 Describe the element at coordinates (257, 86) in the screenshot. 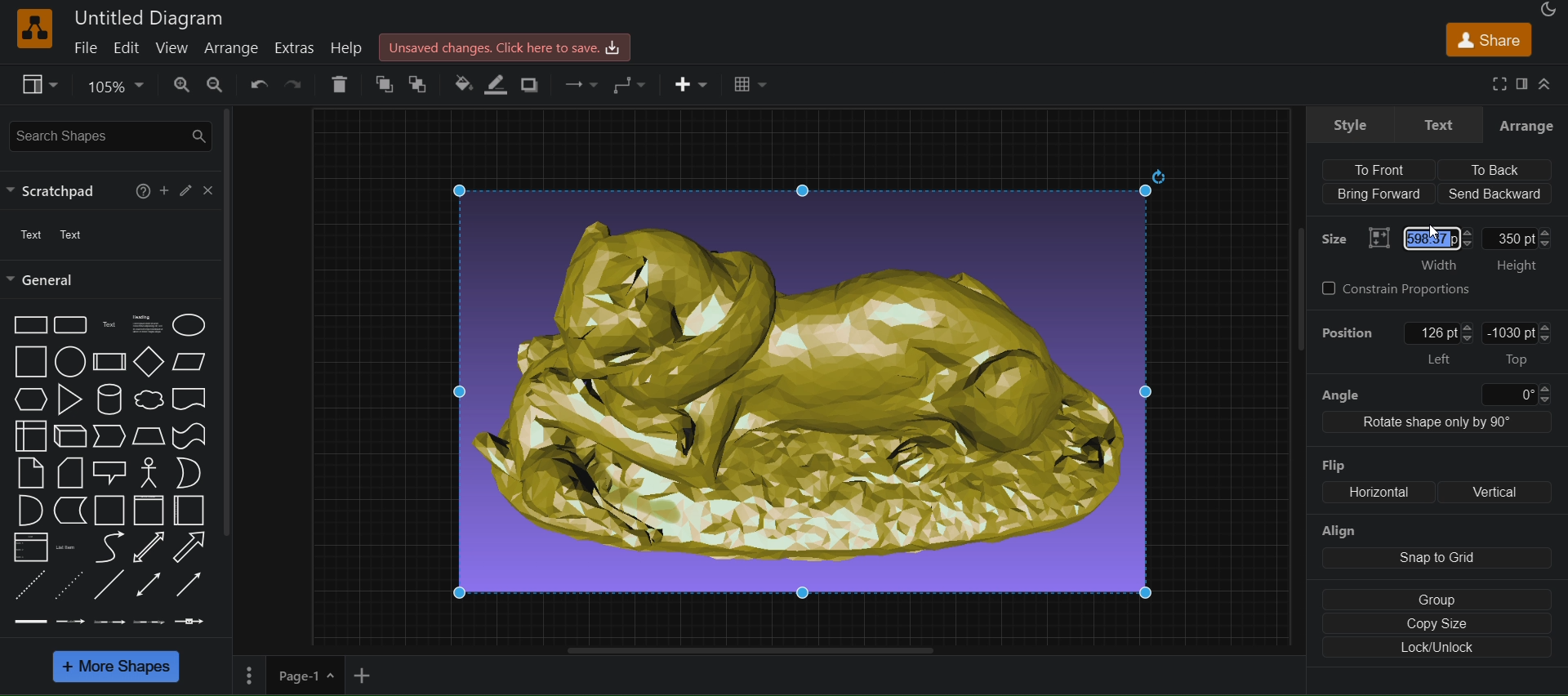

I see `undo` at that location.